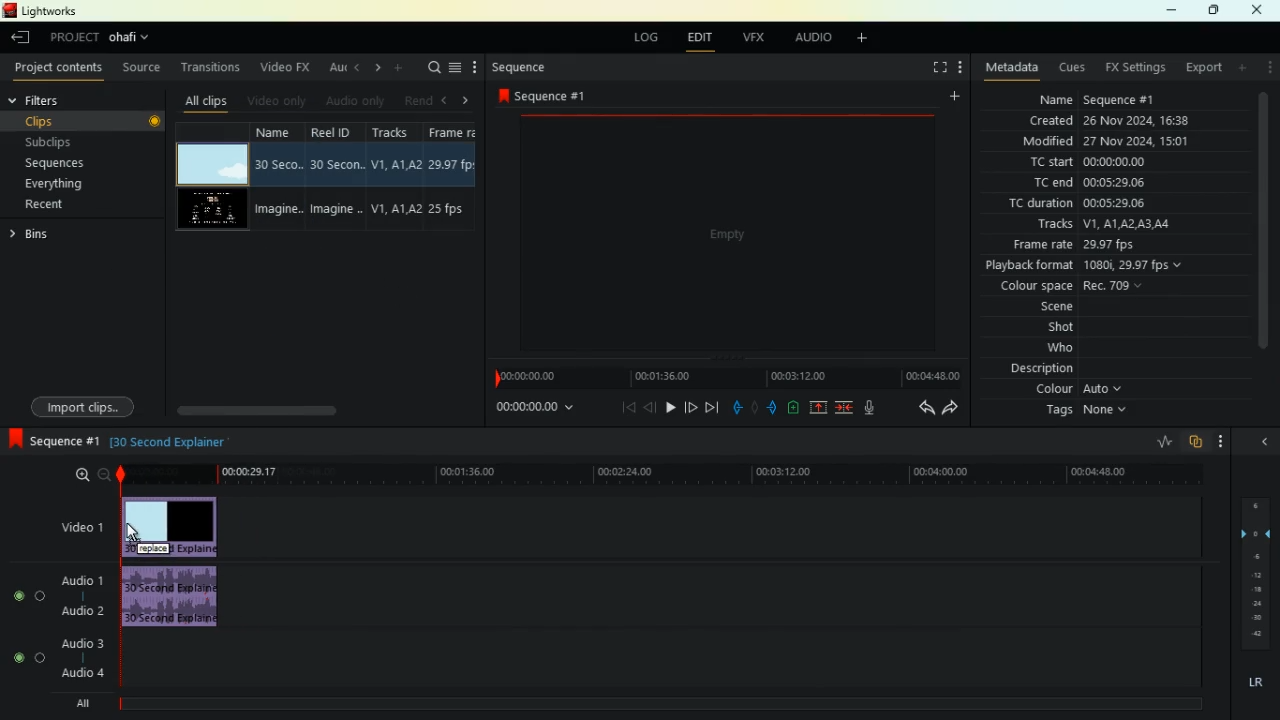 This screenshot has width=1280, height=720. I want to click on more, so click(403, 69).